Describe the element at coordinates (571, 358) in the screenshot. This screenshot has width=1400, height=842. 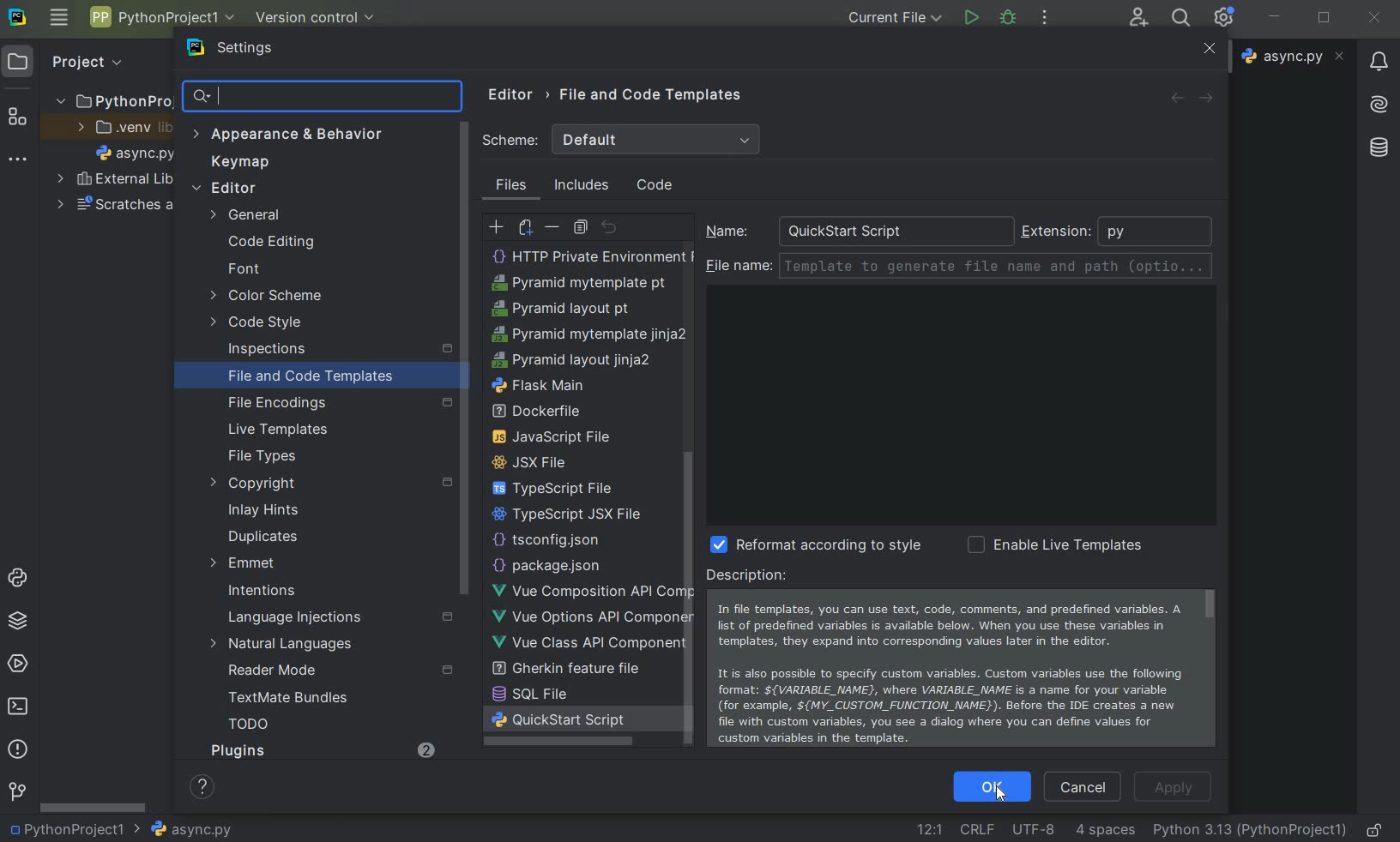
I see `python script` at that location.